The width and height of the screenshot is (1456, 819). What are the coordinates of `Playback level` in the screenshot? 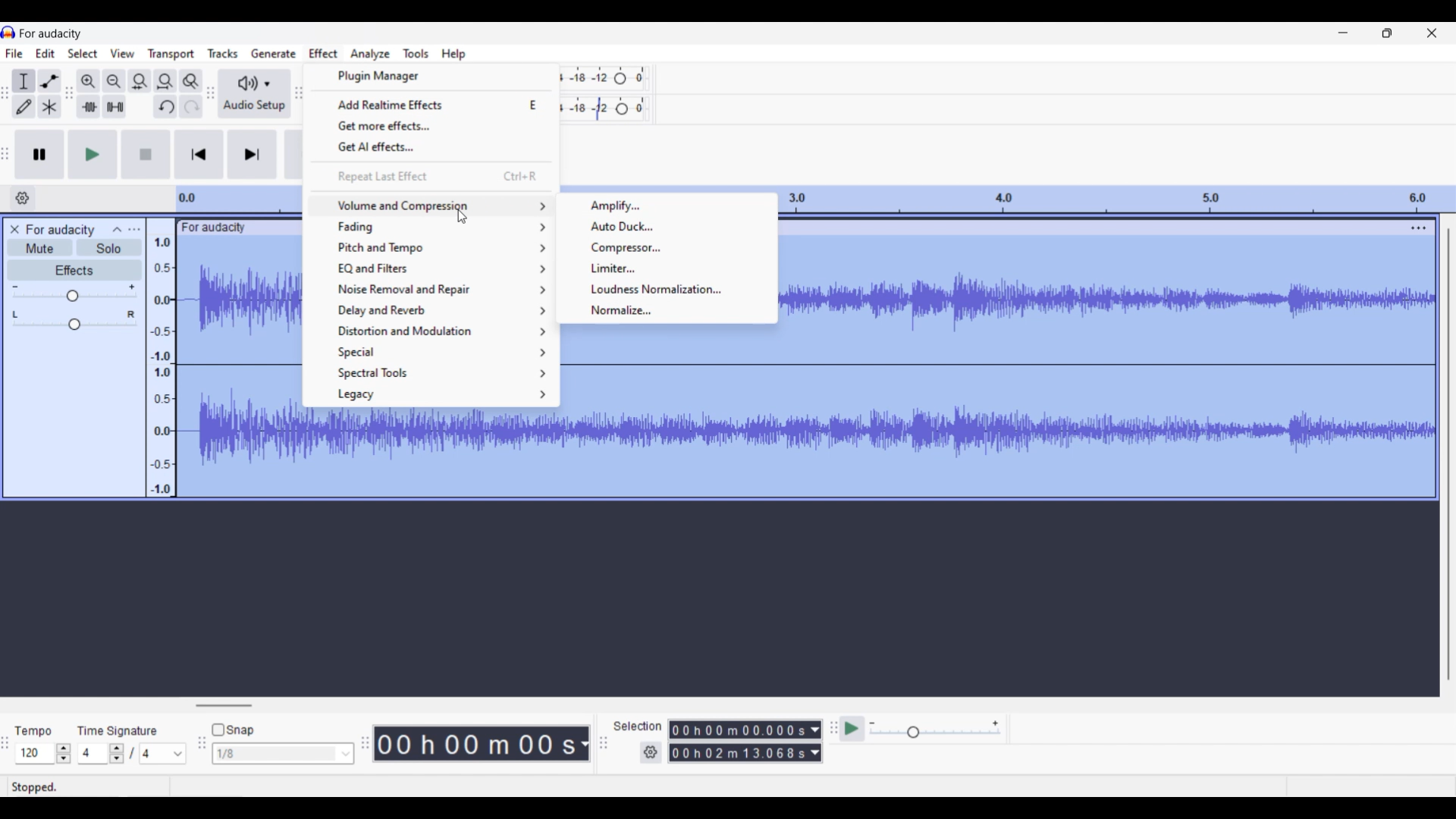 It's located at (605, 109).